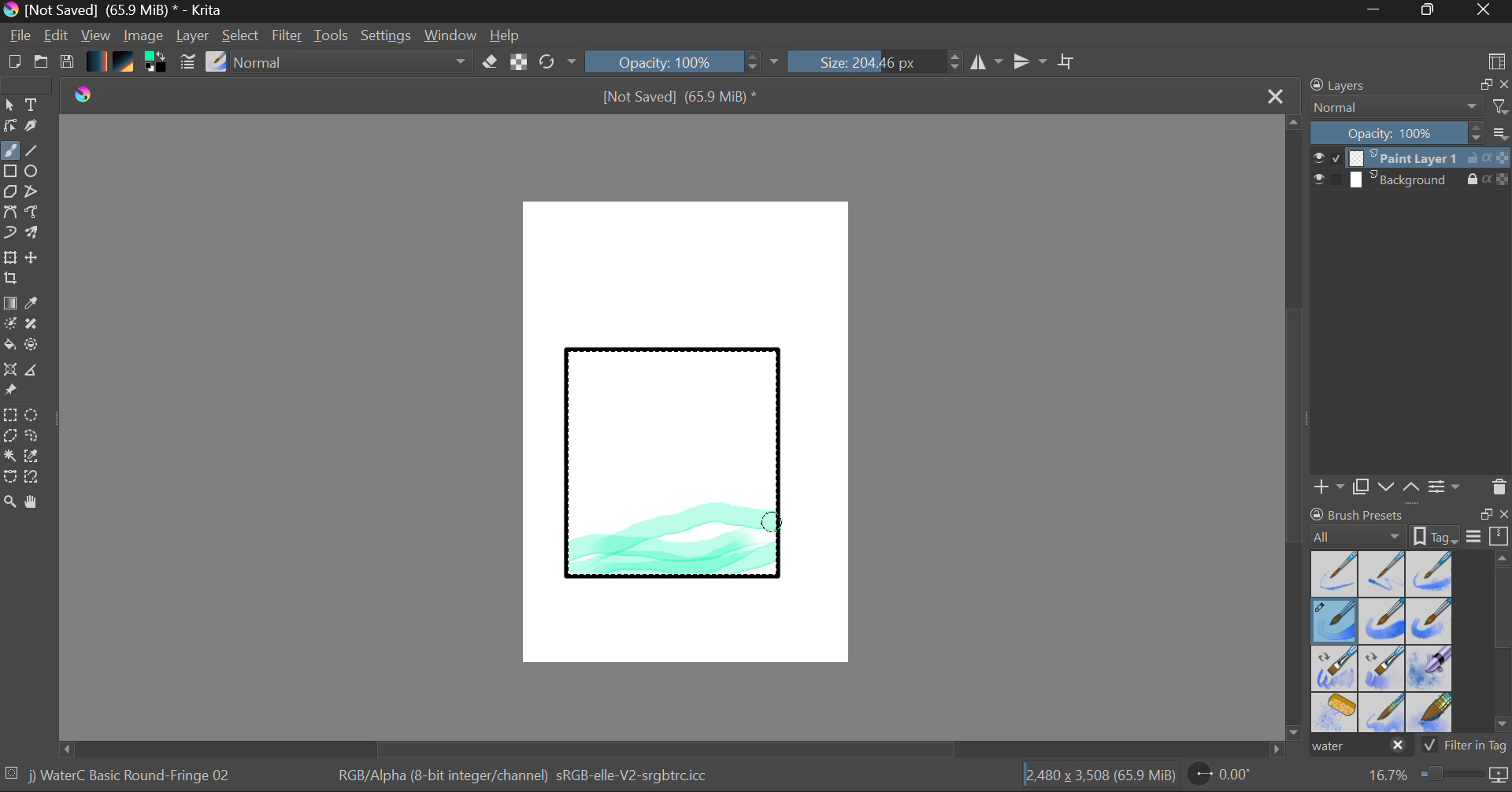  What do you see at coordinates (1336, 712) in the screenshot?
I see `Water C - Special Splats` at bounding box center [1336, 712].